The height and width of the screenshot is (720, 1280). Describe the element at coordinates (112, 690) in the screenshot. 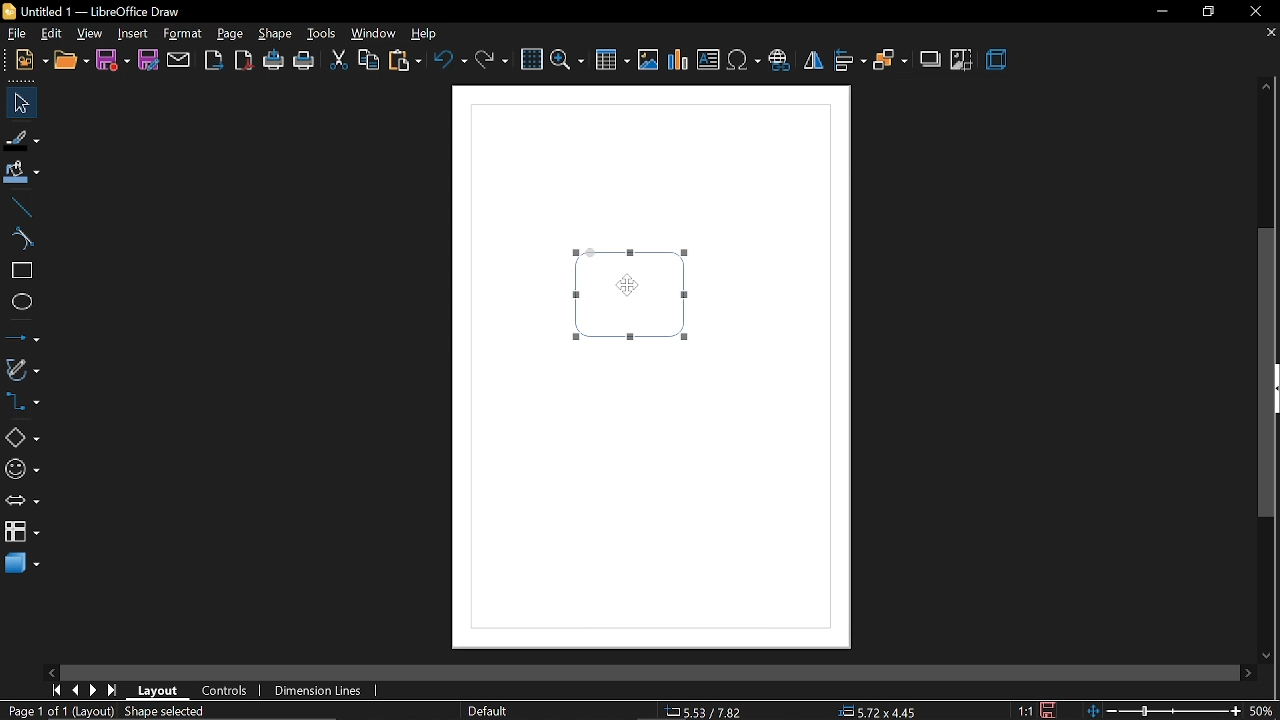

I see `go to last page` at that location.